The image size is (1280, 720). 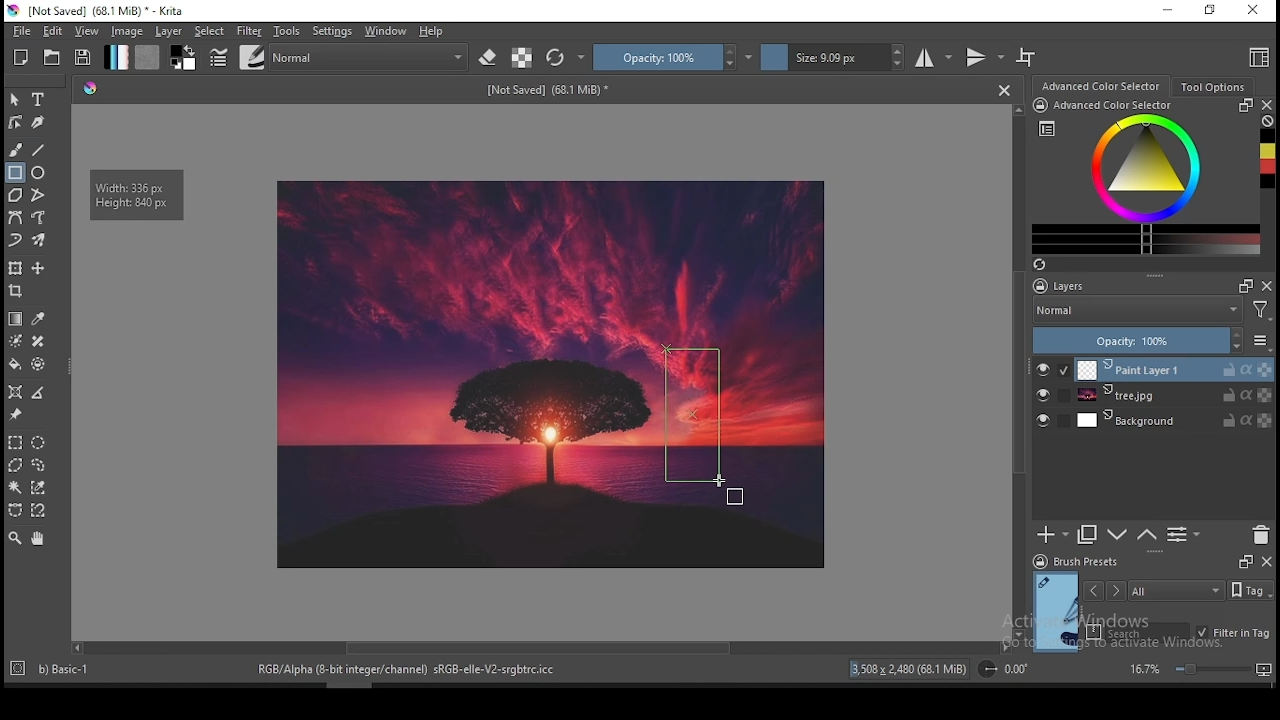 I want to click on close docker, so click(x=1266, y=562).